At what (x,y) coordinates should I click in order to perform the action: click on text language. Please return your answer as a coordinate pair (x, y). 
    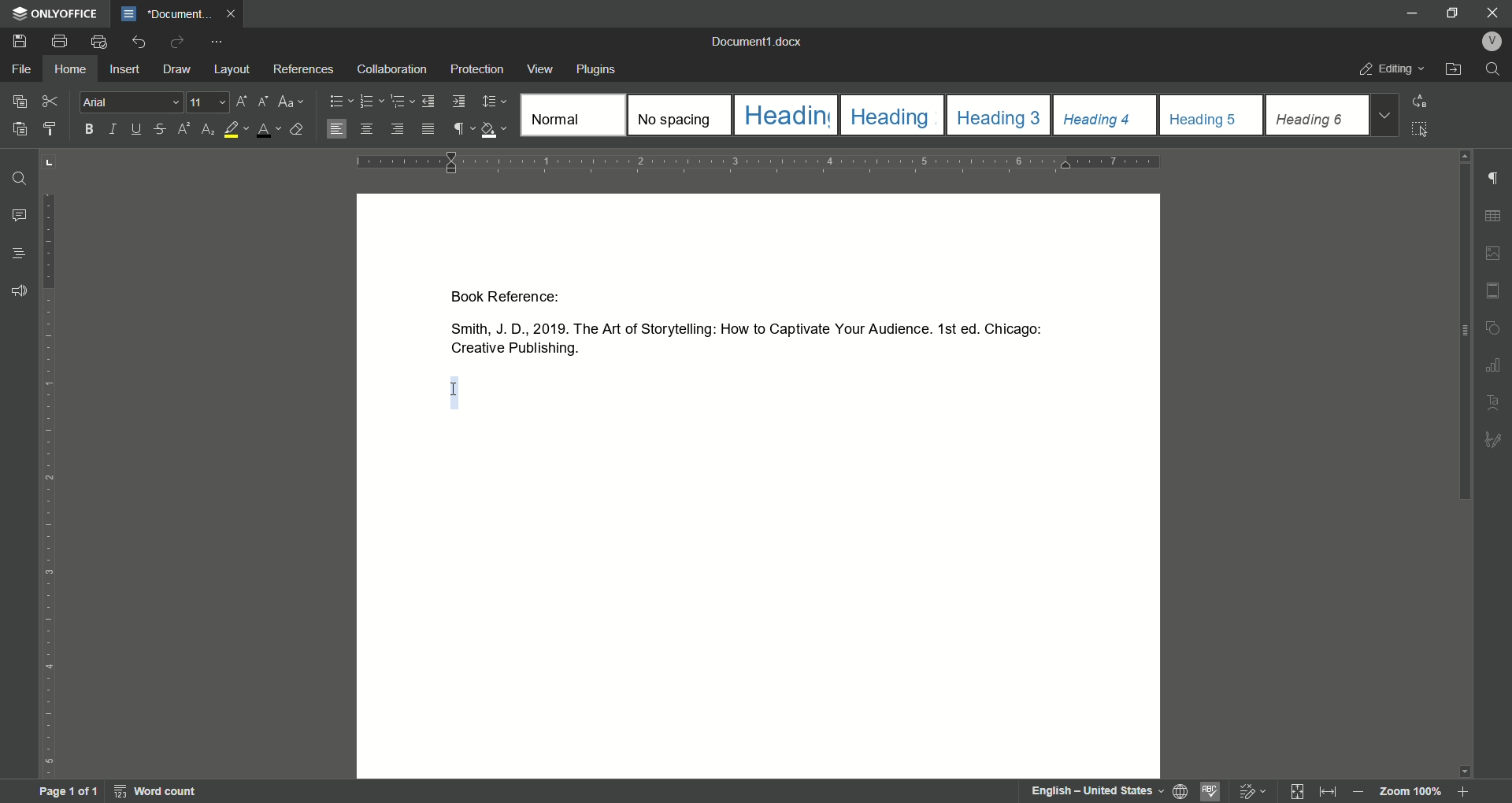
    Looking at the image, I should click on (1099, 790).